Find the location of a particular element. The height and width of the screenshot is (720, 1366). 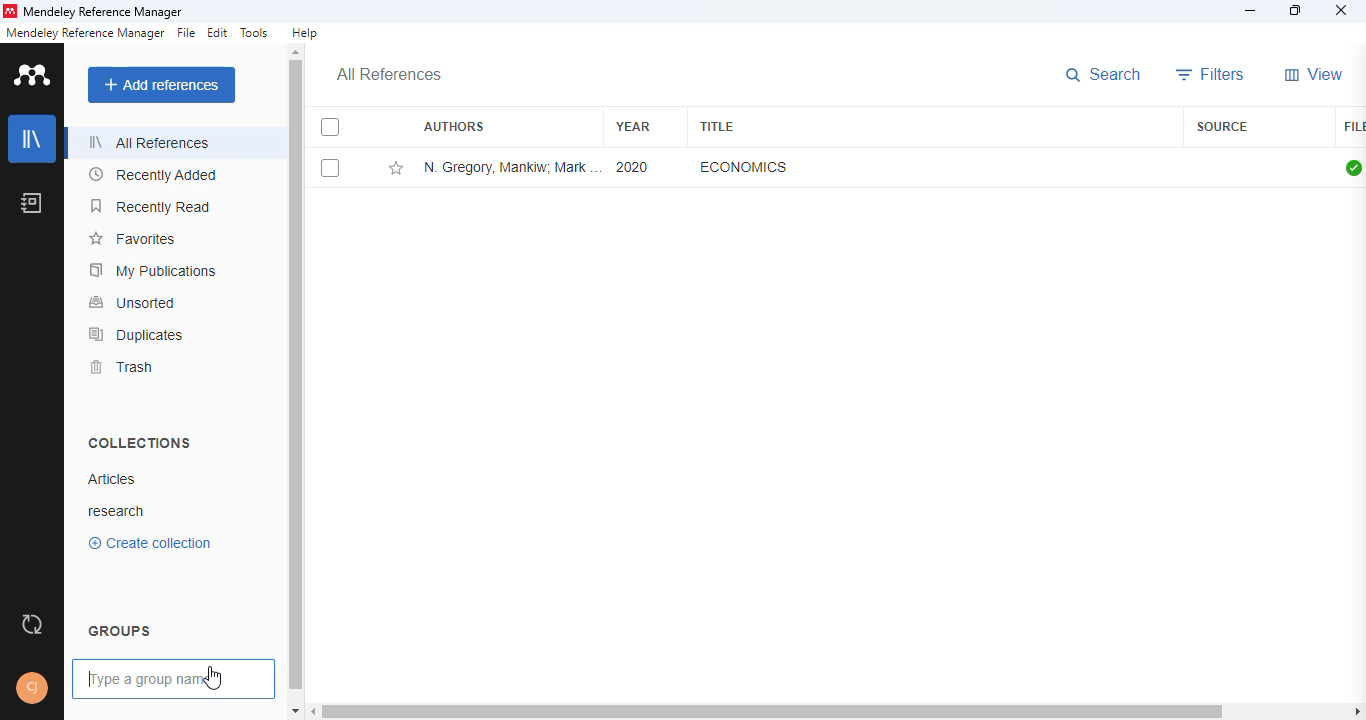

title is located at coordinates (717, 127).